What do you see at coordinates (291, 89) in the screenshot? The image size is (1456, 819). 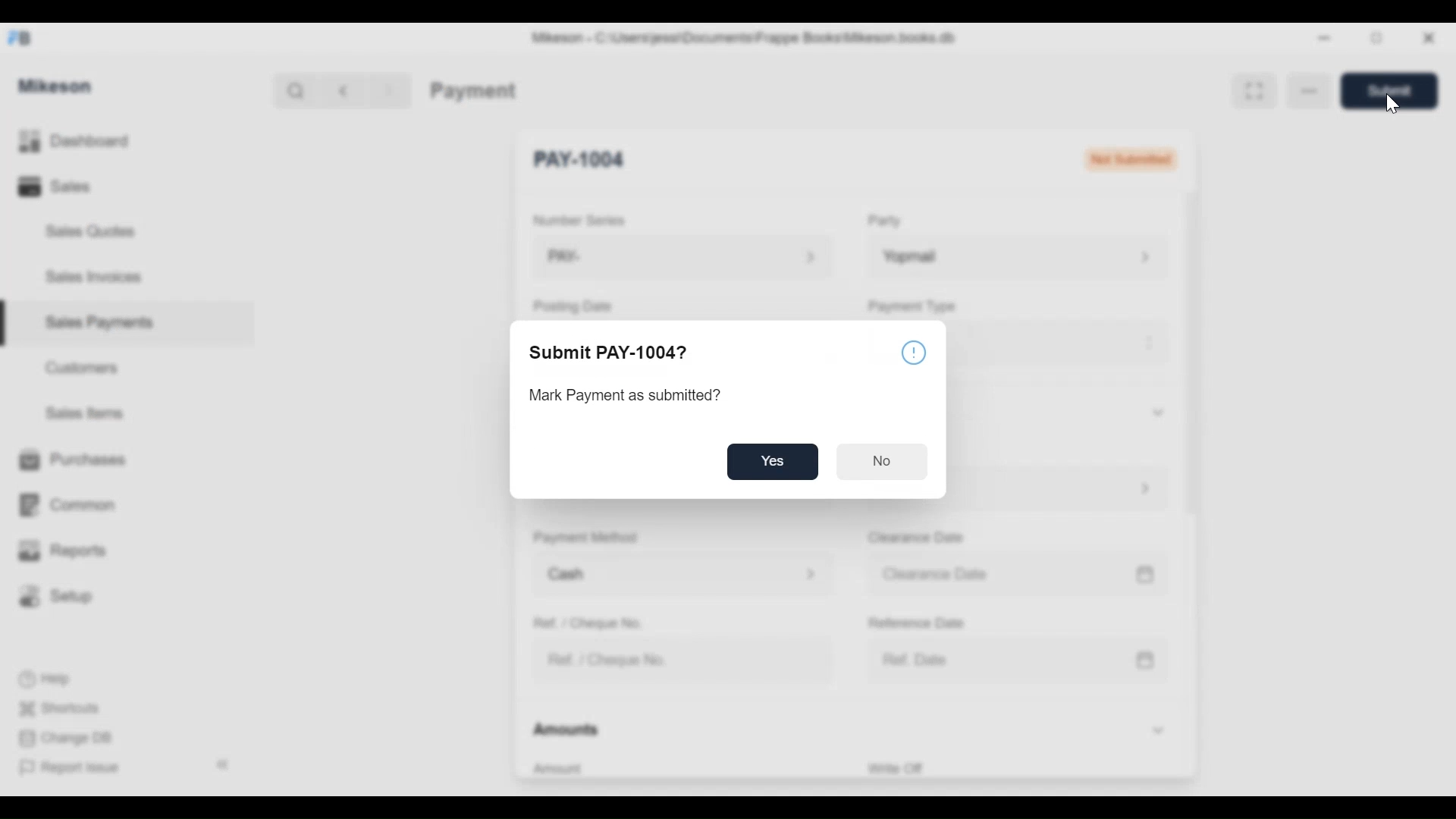 I see `Search` at bounding box center [291, 89].